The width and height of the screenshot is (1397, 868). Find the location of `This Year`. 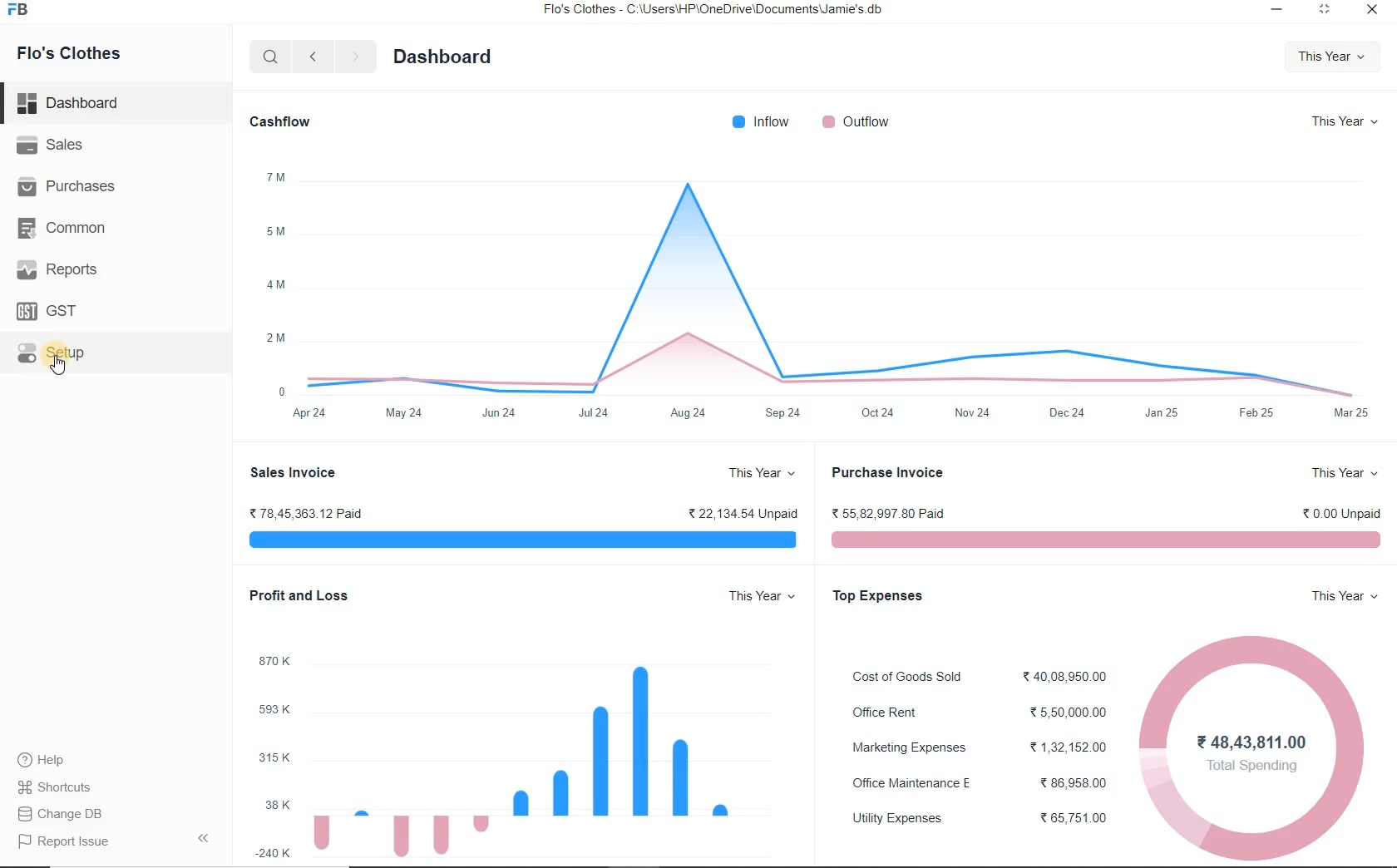

This Year is located at coordinates (1343, 121).